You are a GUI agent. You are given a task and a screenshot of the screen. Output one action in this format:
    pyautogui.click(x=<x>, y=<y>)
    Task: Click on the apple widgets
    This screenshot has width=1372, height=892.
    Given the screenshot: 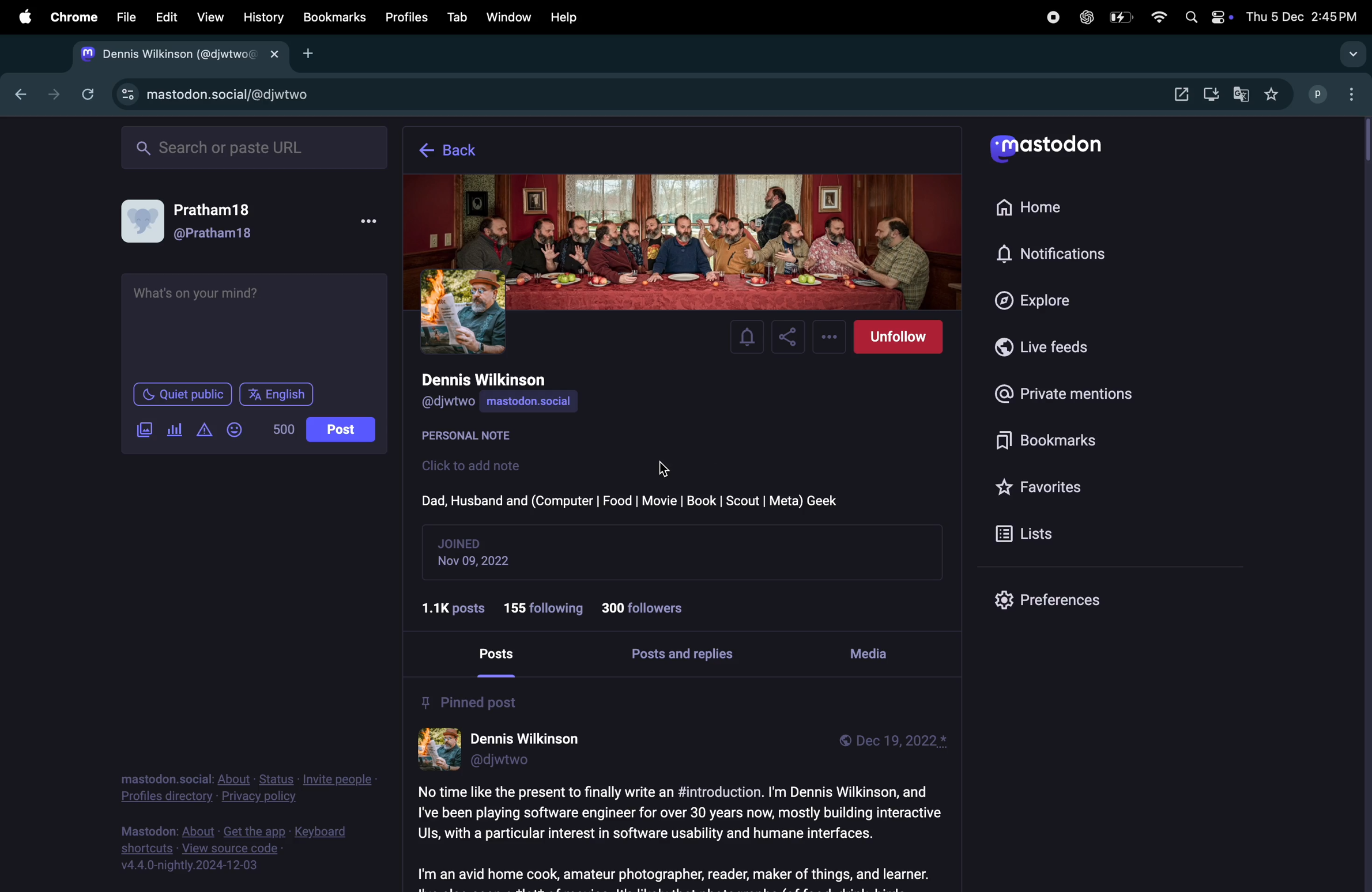 What is the action you would take?
    pyautogui.click(x=1206, y=16)
    